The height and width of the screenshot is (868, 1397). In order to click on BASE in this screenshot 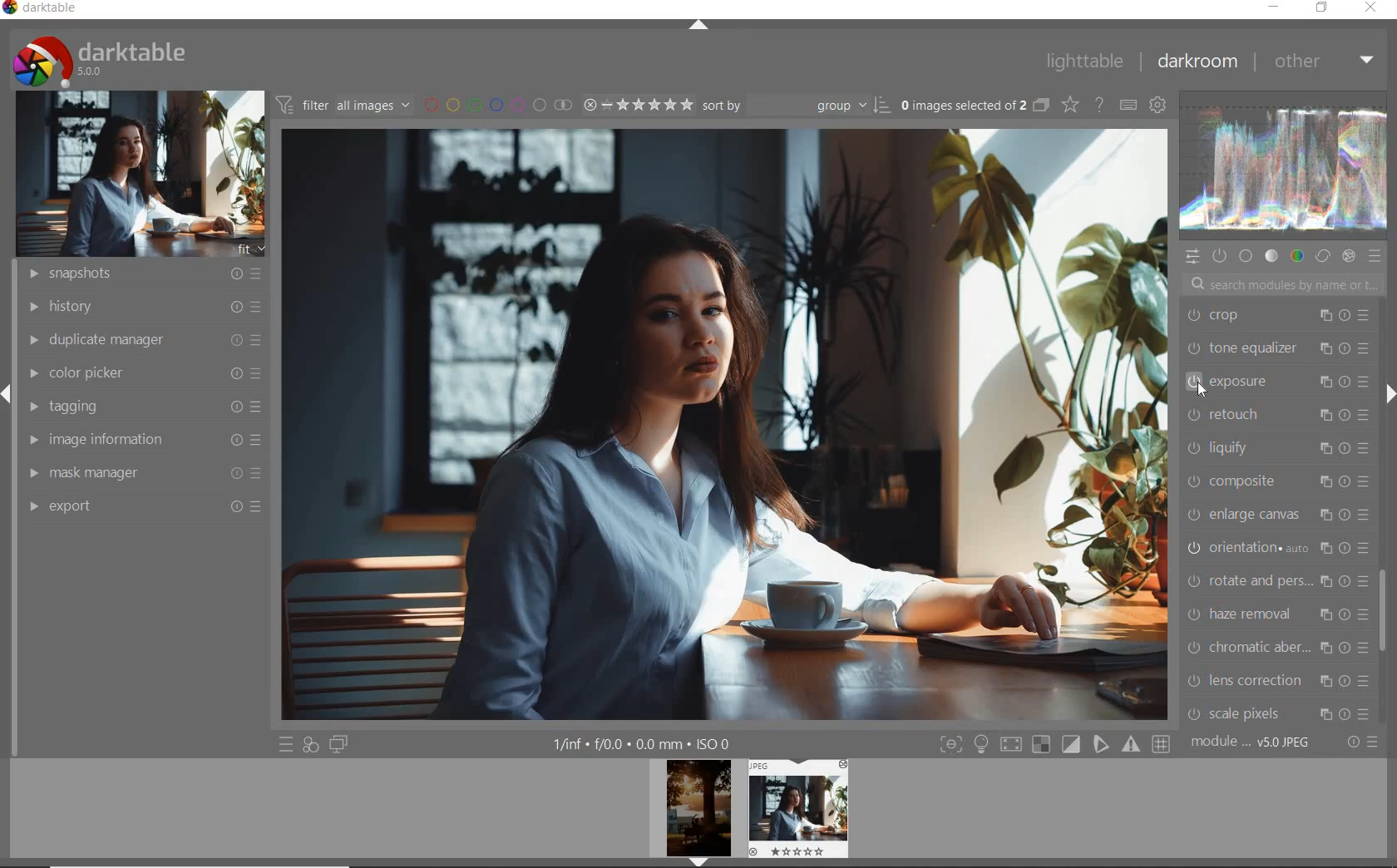, I will do `click(1246, 257)`.